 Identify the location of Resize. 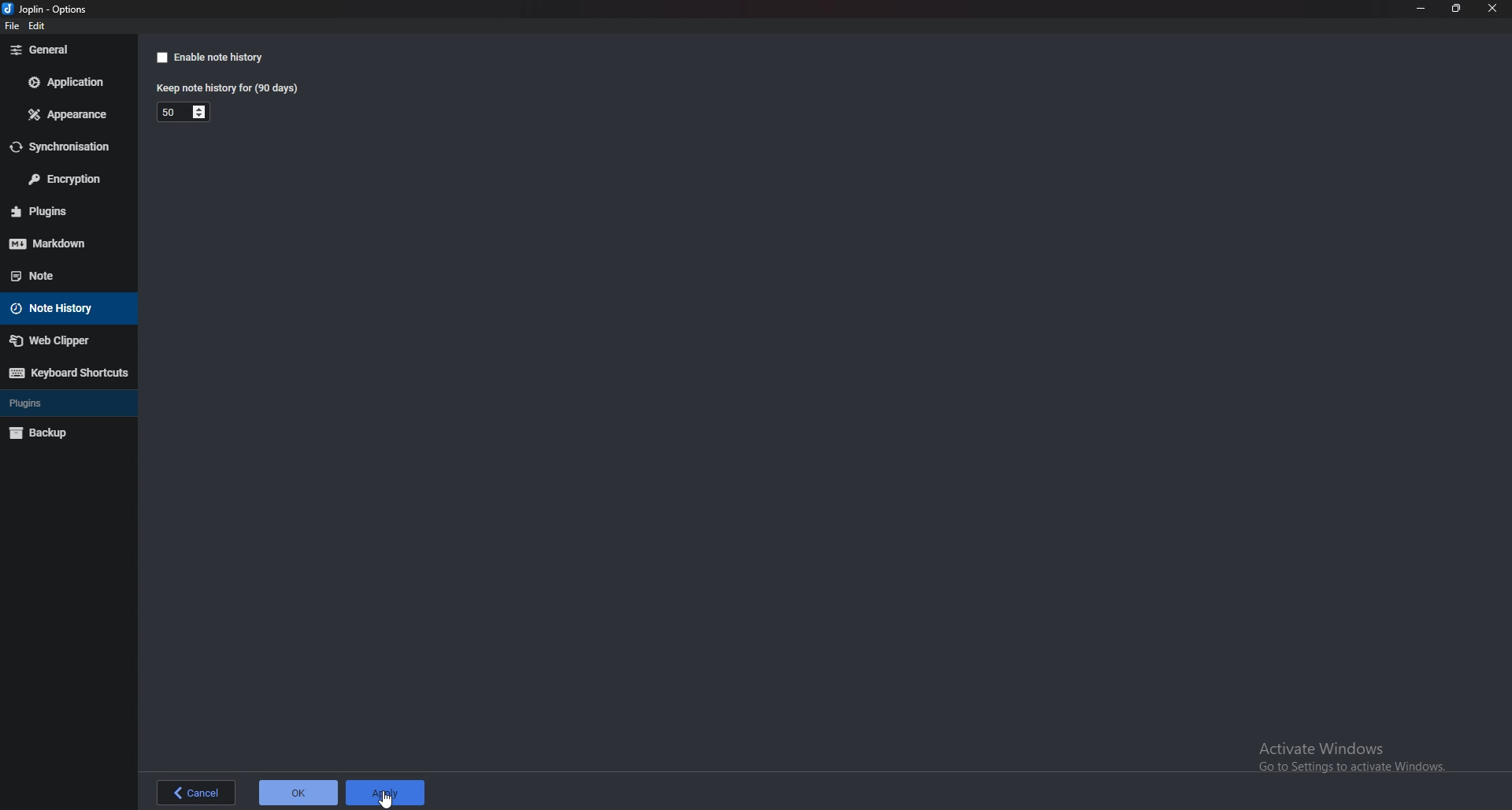
(1457, 9).